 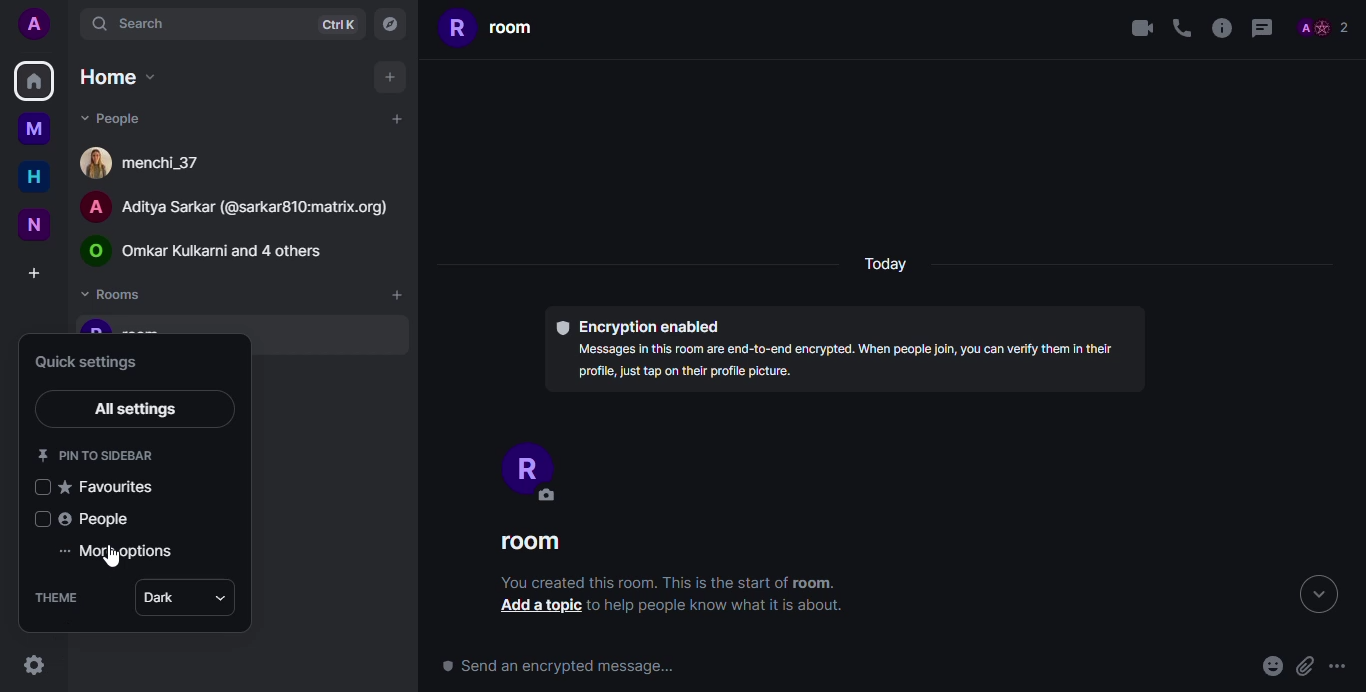 What do you see at coordinates (840, 348) in the screenshot?
I see `® Encryption enabledMessages in this room are end-to-end encrypted. When people join, you can verify them in theirprofile, just tap on their profile picture.` at bounding box center [840, 348].